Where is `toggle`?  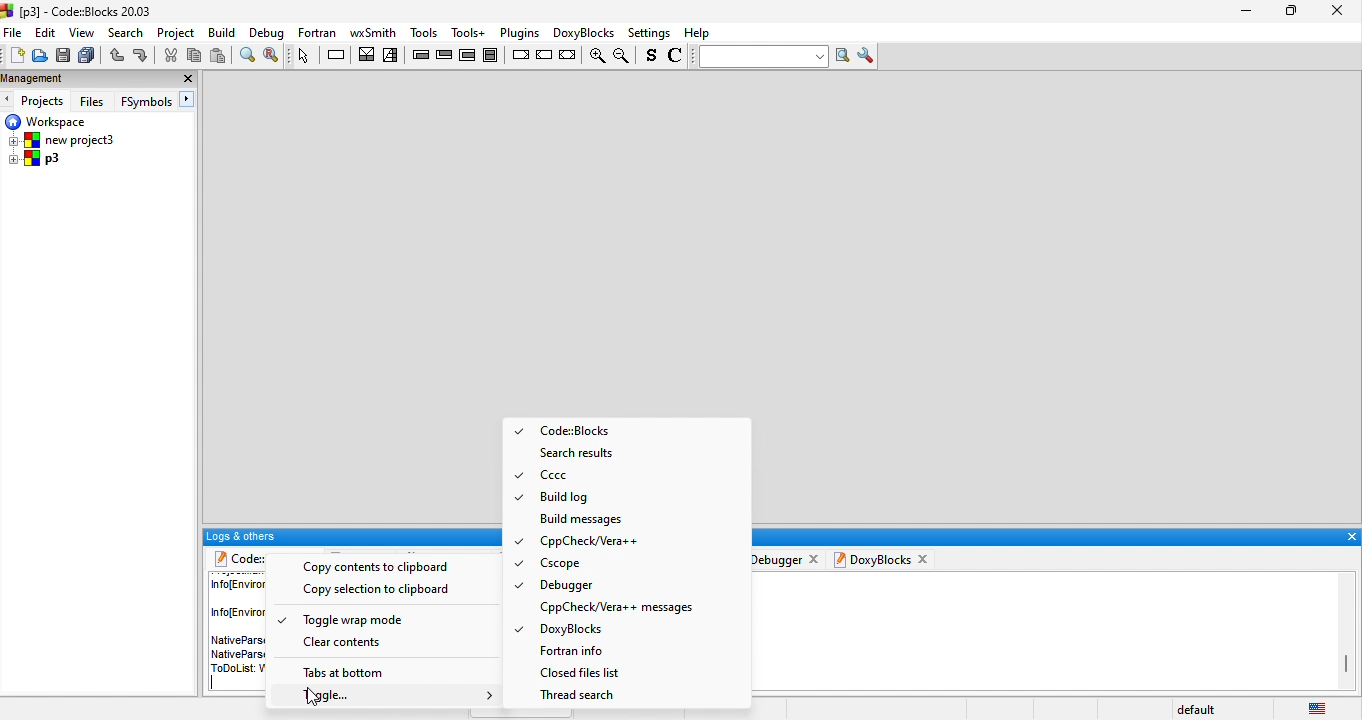 toggle is located at coordinates (397, 698).